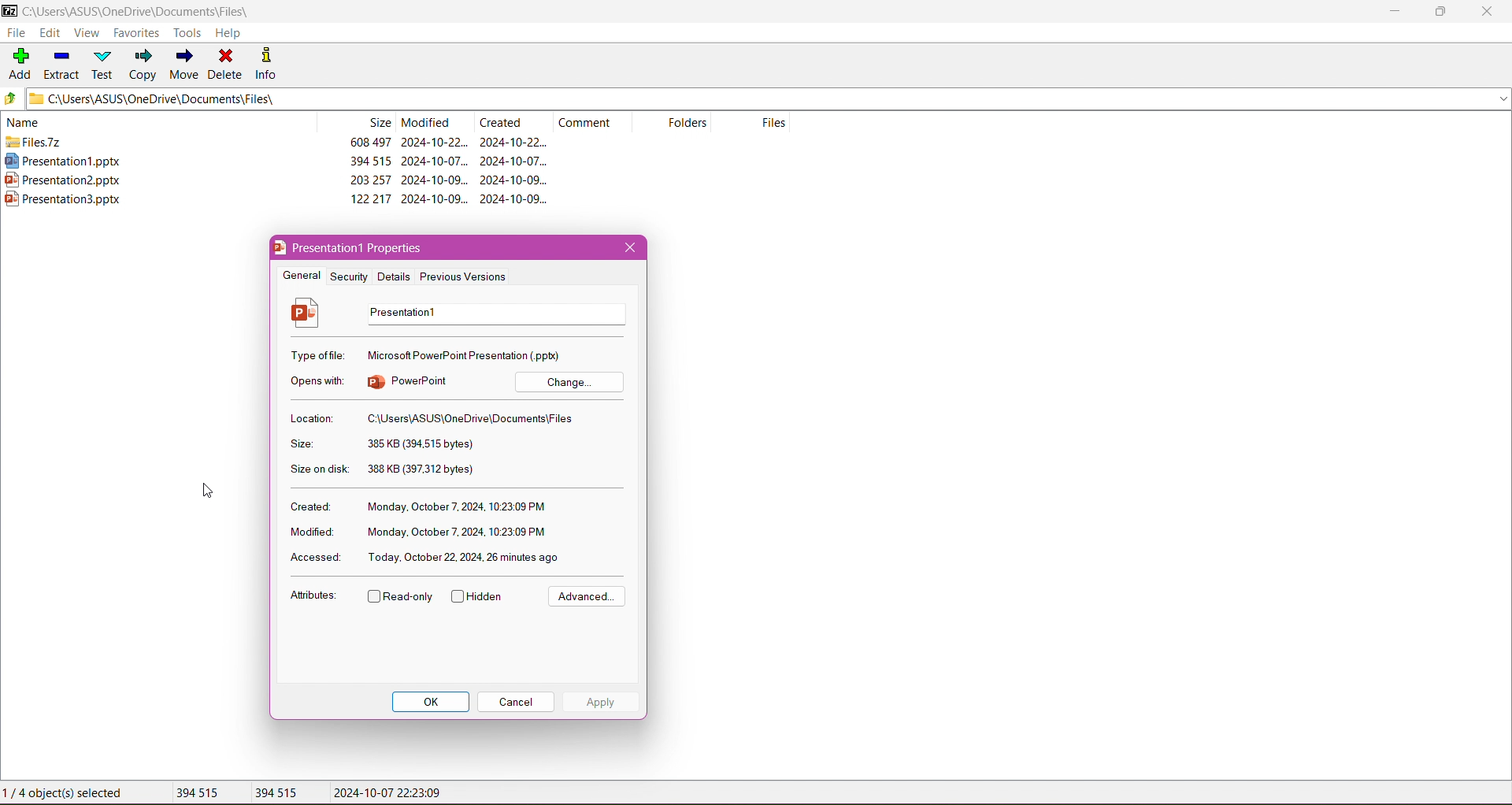 The width and height of the screenshot is (1512, 805). Describe the element at coordinates (473, 419) in the screenshot. I see `C:\Users\ASUS\OneDrive\Documents\Files` at that location.